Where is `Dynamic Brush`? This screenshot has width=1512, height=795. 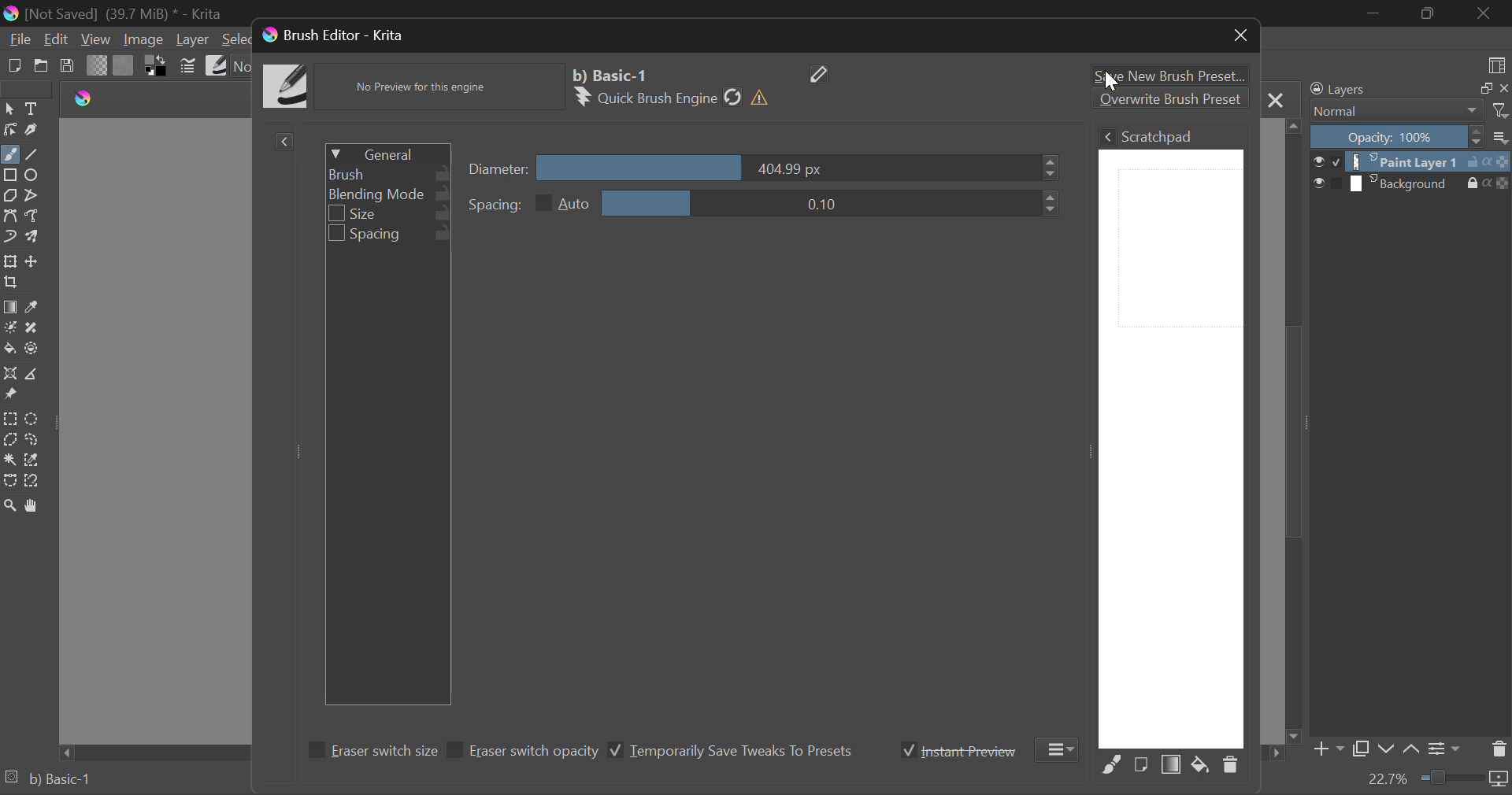 Dynamic Brush is located at coordinates (9, 237).